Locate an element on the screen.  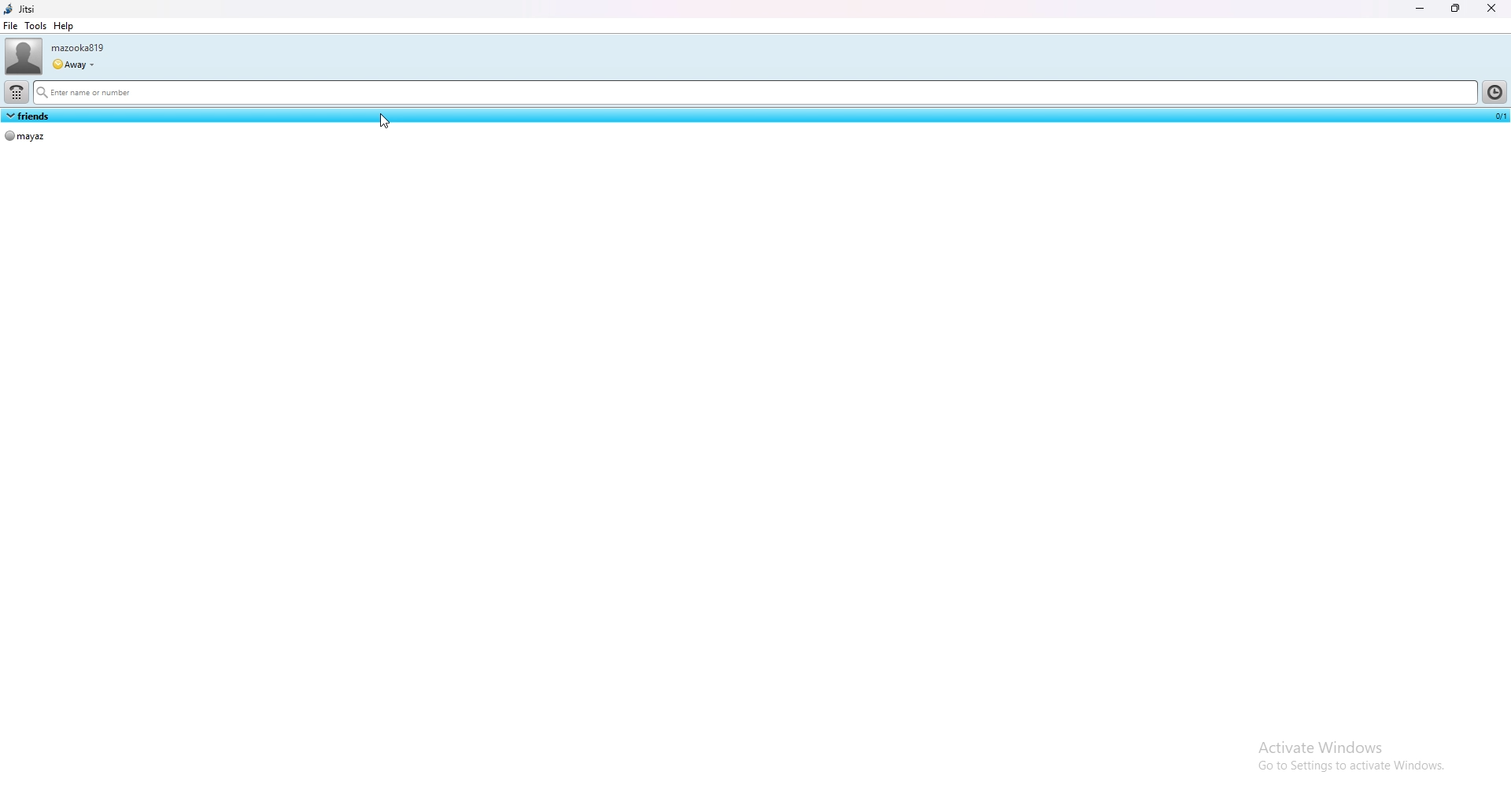
user status is located at coordinates (73, 65).